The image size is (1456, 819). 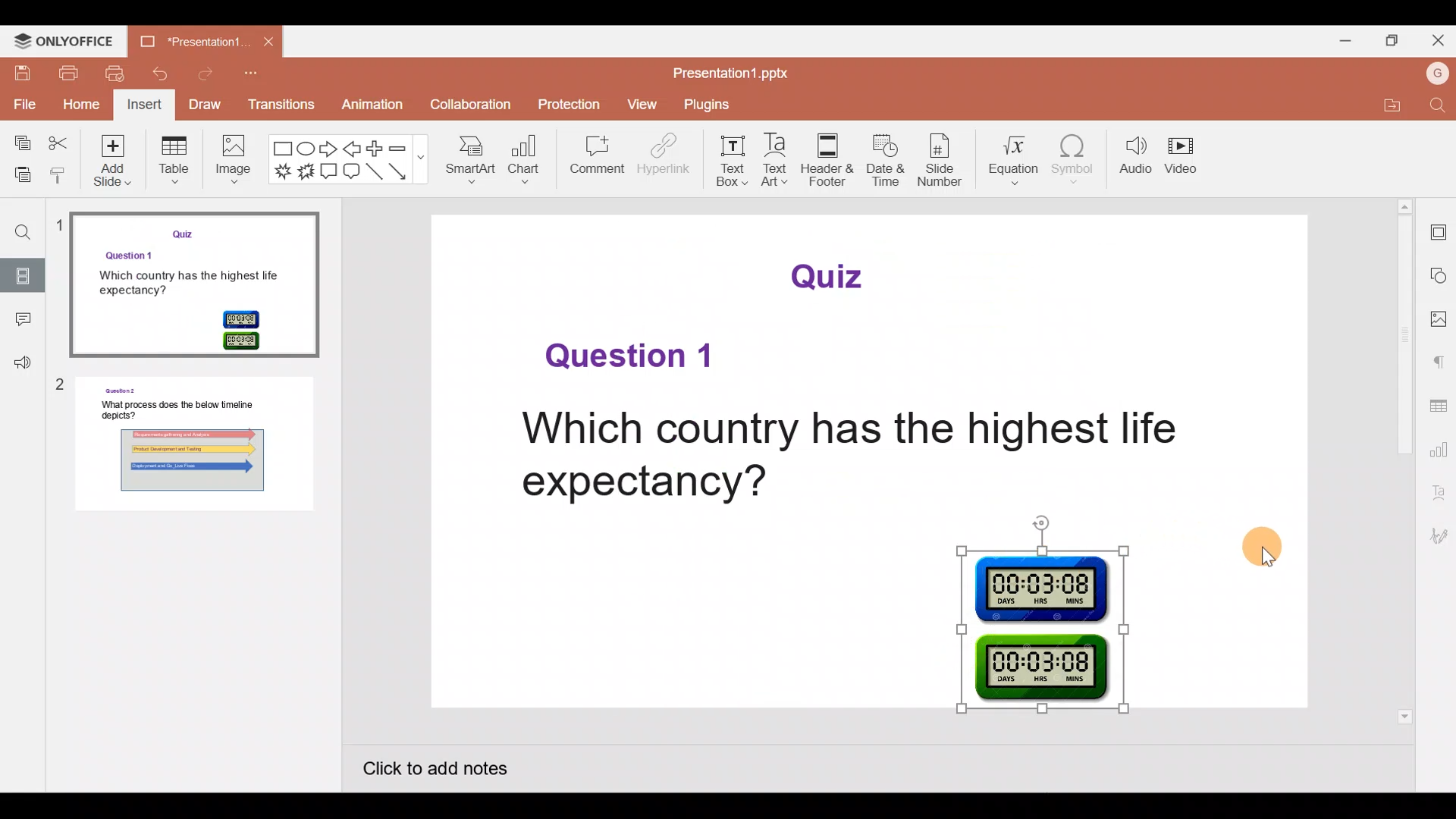 I want to click on Find, so click(x=1435, y=108).